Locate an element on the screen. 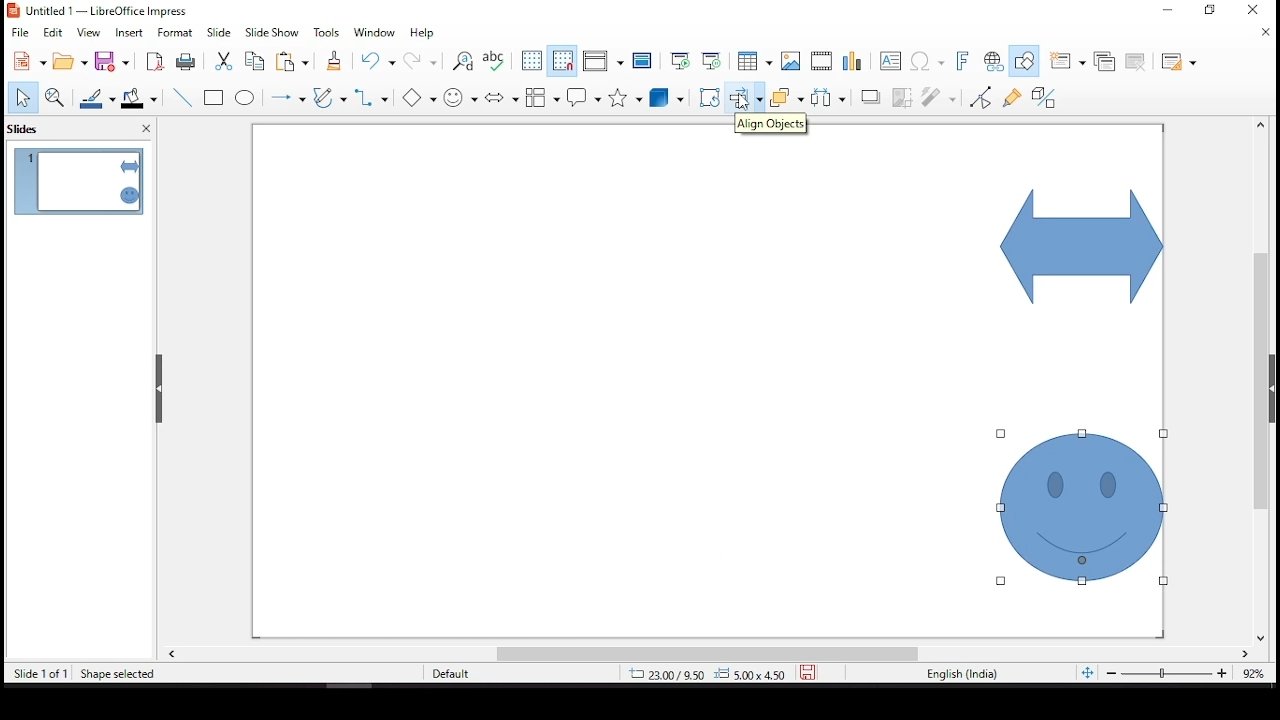 Image resolution: width=1280 pixels, height=720 pixels. format is located at coordinates (178, 33).